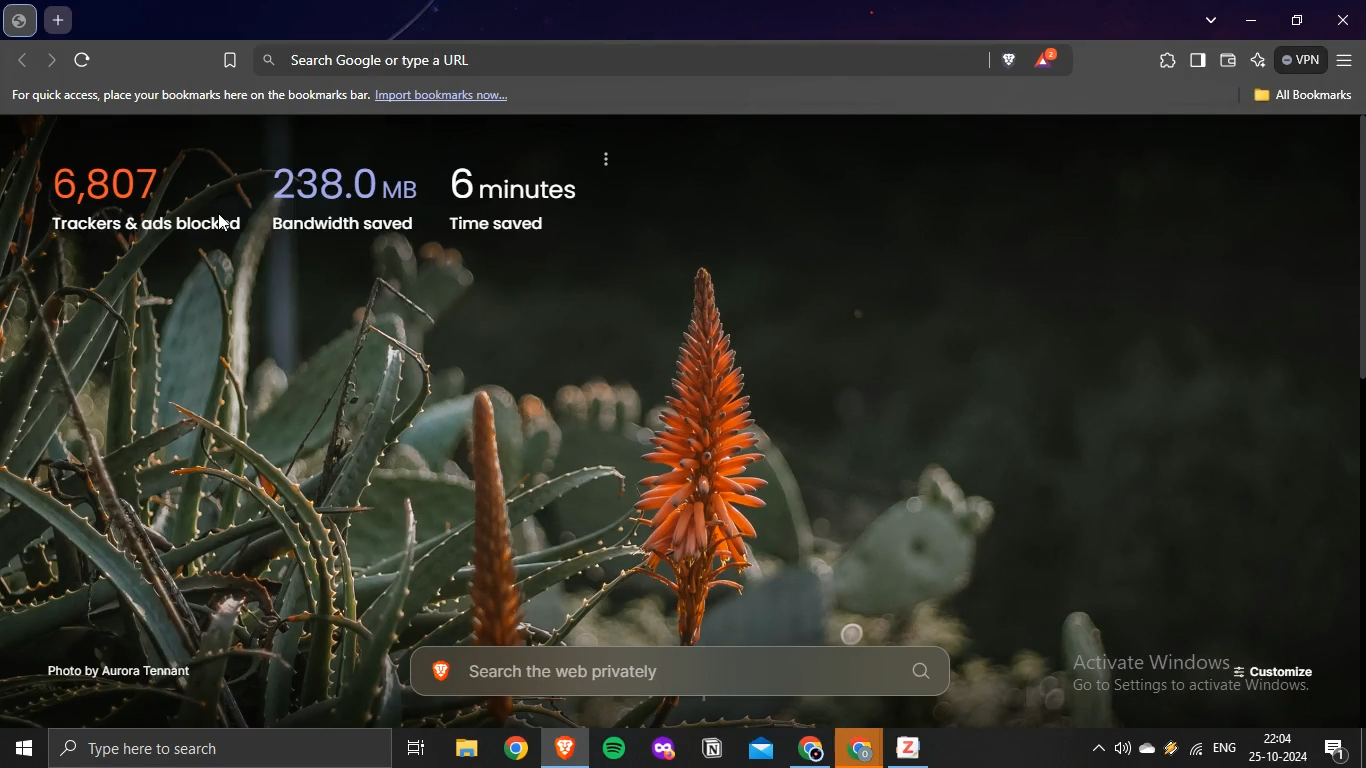 This screenshot has height=768, width=1366. Describe the element at coordinates (518, 749) in the screenshot. I see `google chrome` at that location.